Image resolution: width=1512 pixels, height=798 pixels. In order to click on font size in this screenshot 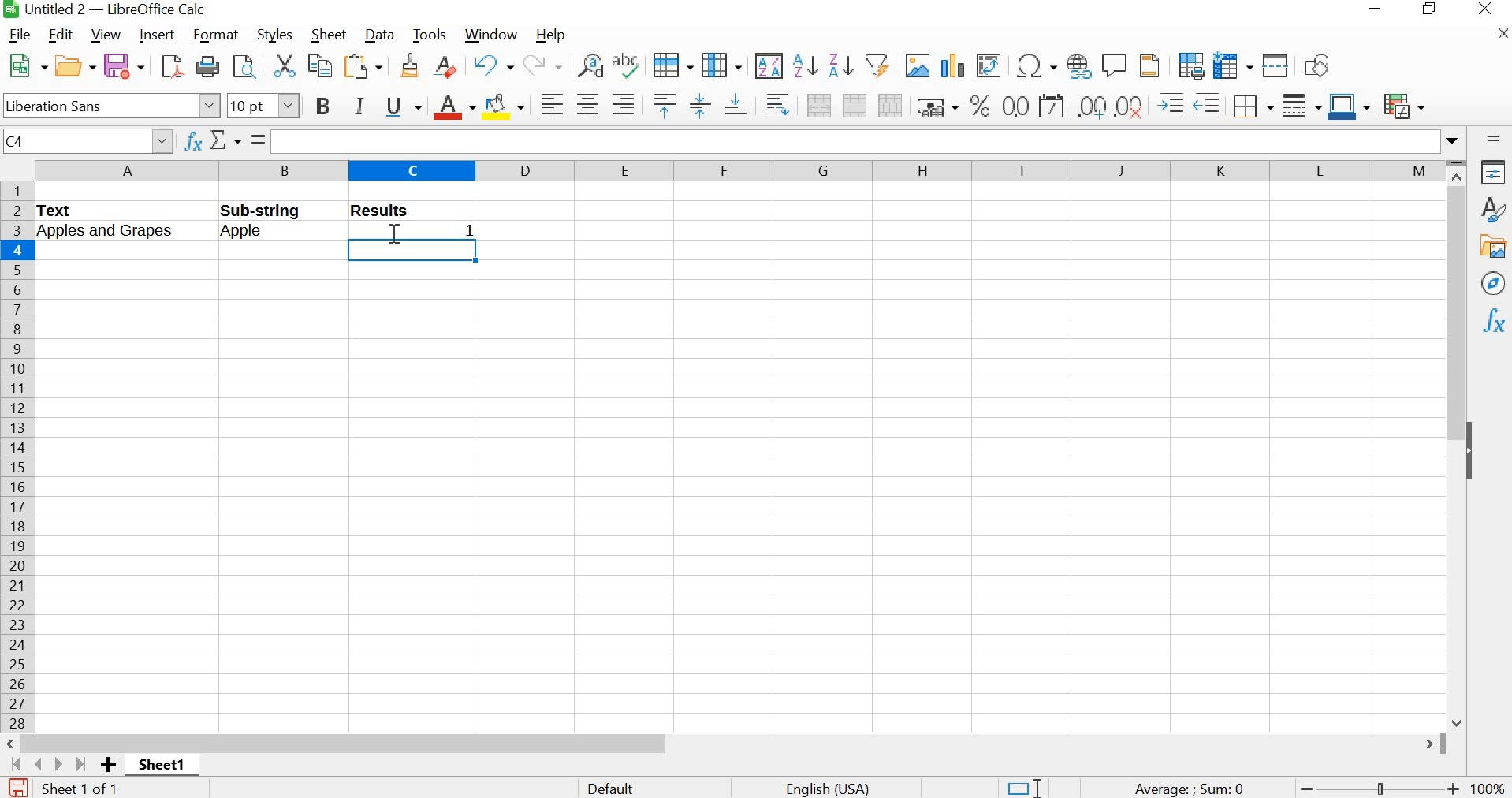, I will do `click(263, 105)`.